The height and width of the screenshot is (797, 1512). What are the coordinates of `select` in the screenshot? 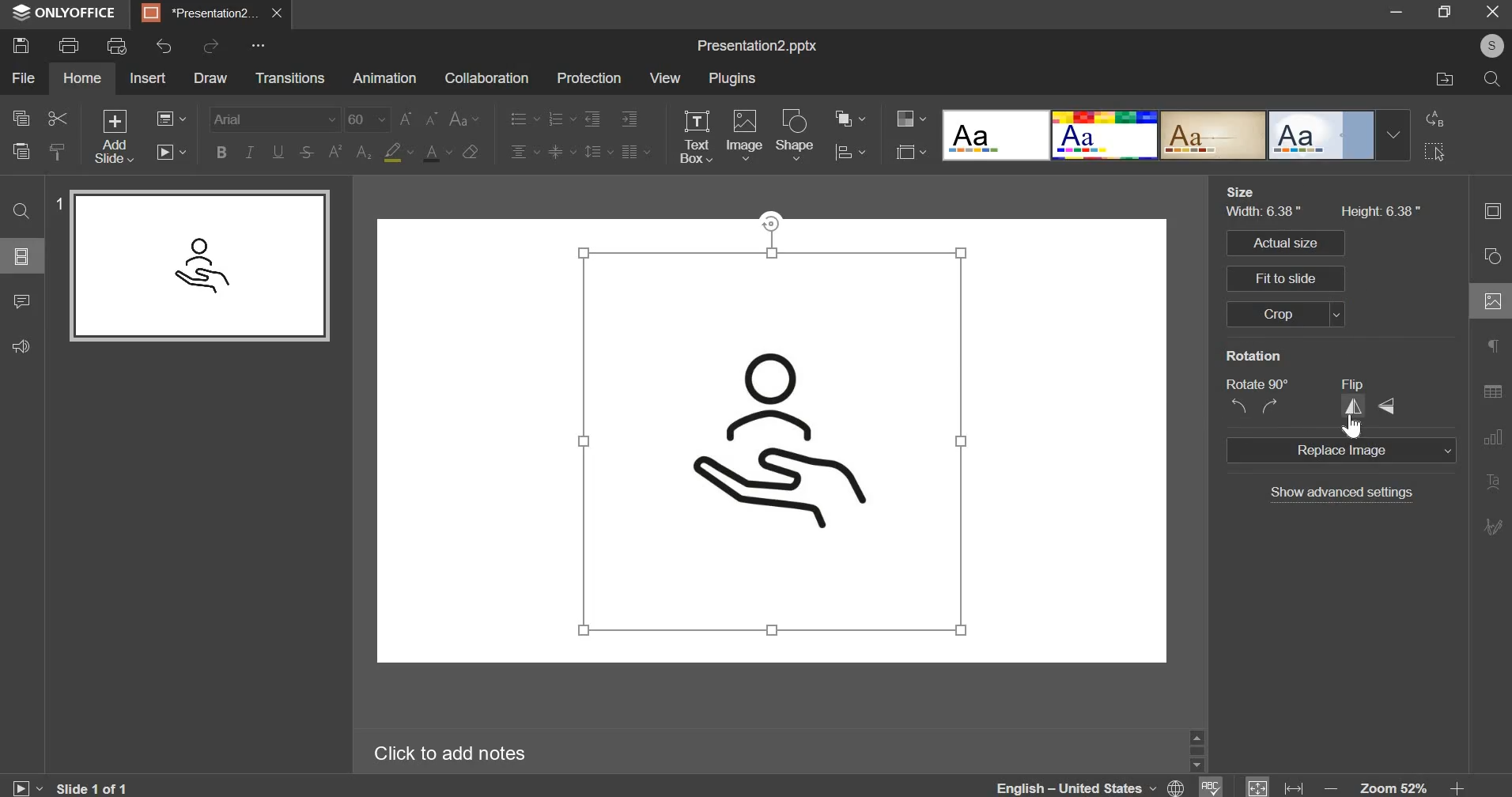 It's located at (1435, 152).